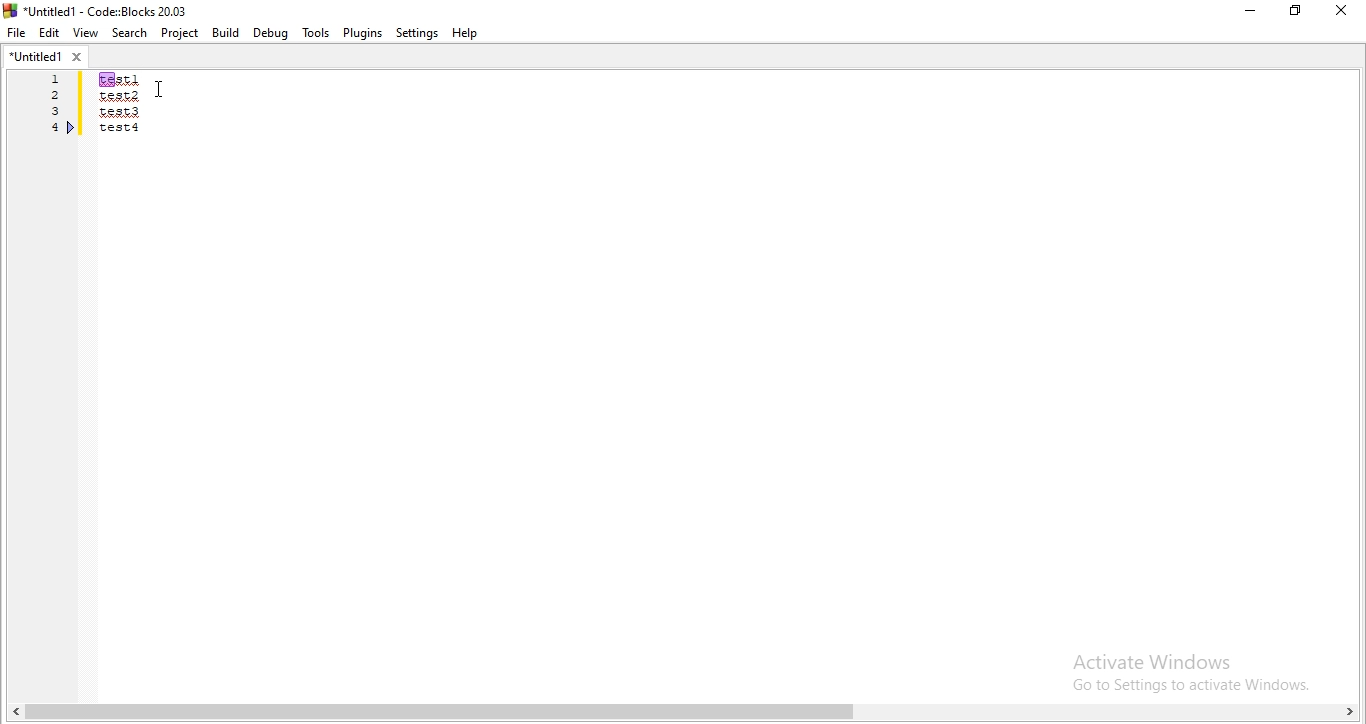 The height and width of the screenshot is (724, 1366). Describe the element at coordinates (98, 8) in the screenshot. I see `Untitled - Code:: blocks 2003` at that location.